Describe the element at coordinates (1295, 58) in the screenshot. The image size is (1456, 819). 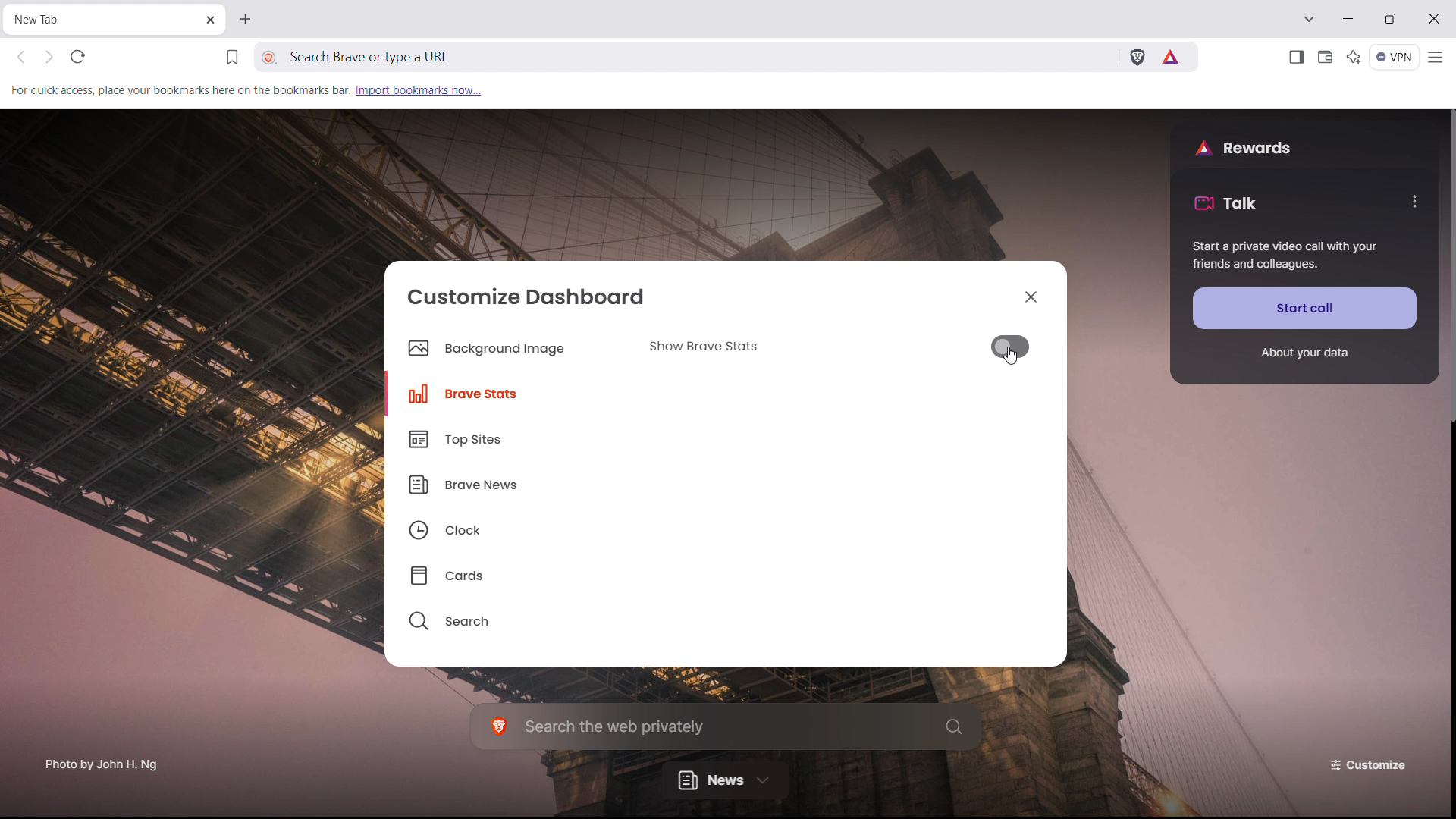
I see `open sidebar` at that location.